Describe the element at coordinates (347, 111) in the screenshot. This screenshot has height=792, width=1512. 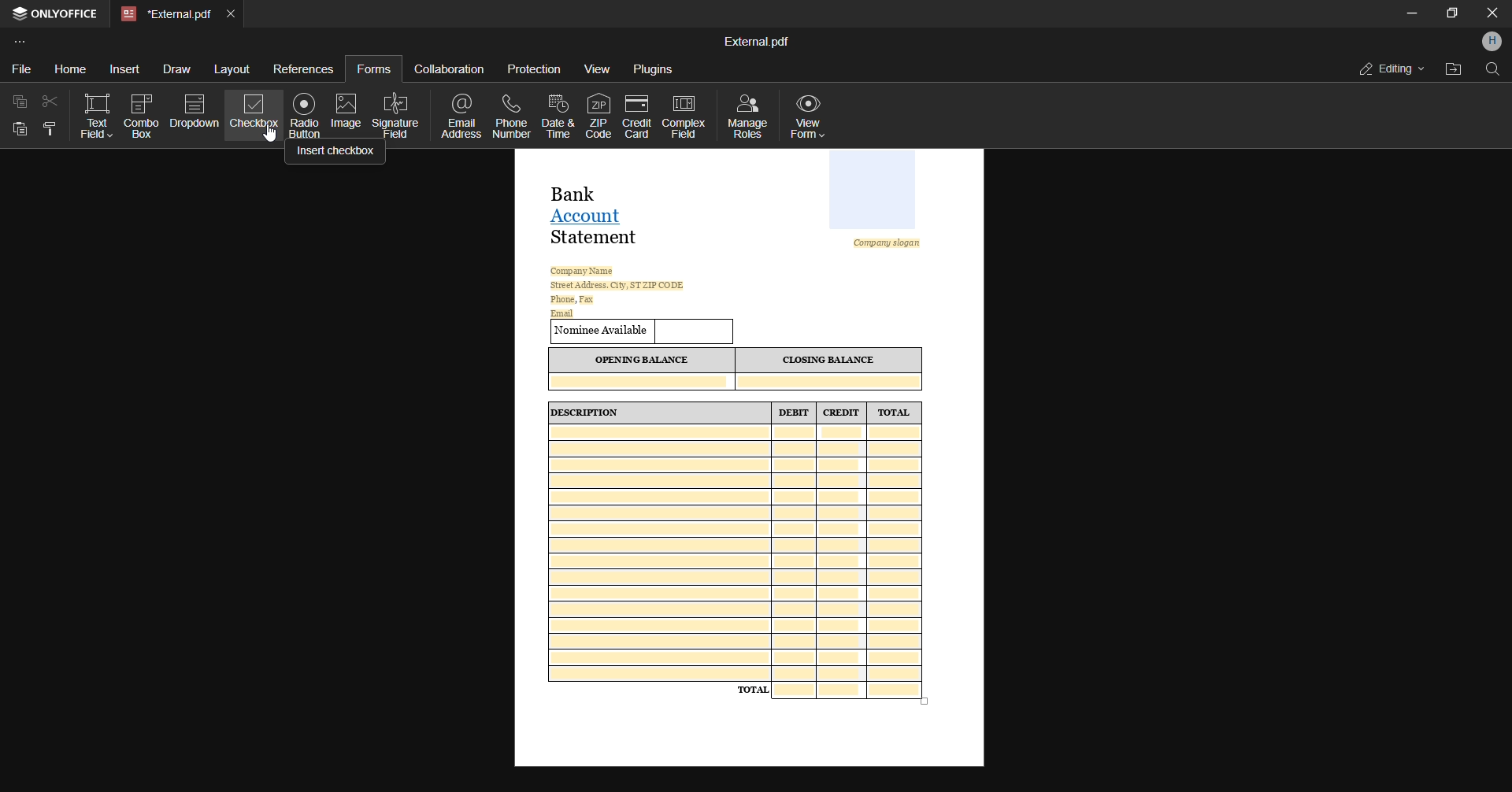
I see `image` at that location.